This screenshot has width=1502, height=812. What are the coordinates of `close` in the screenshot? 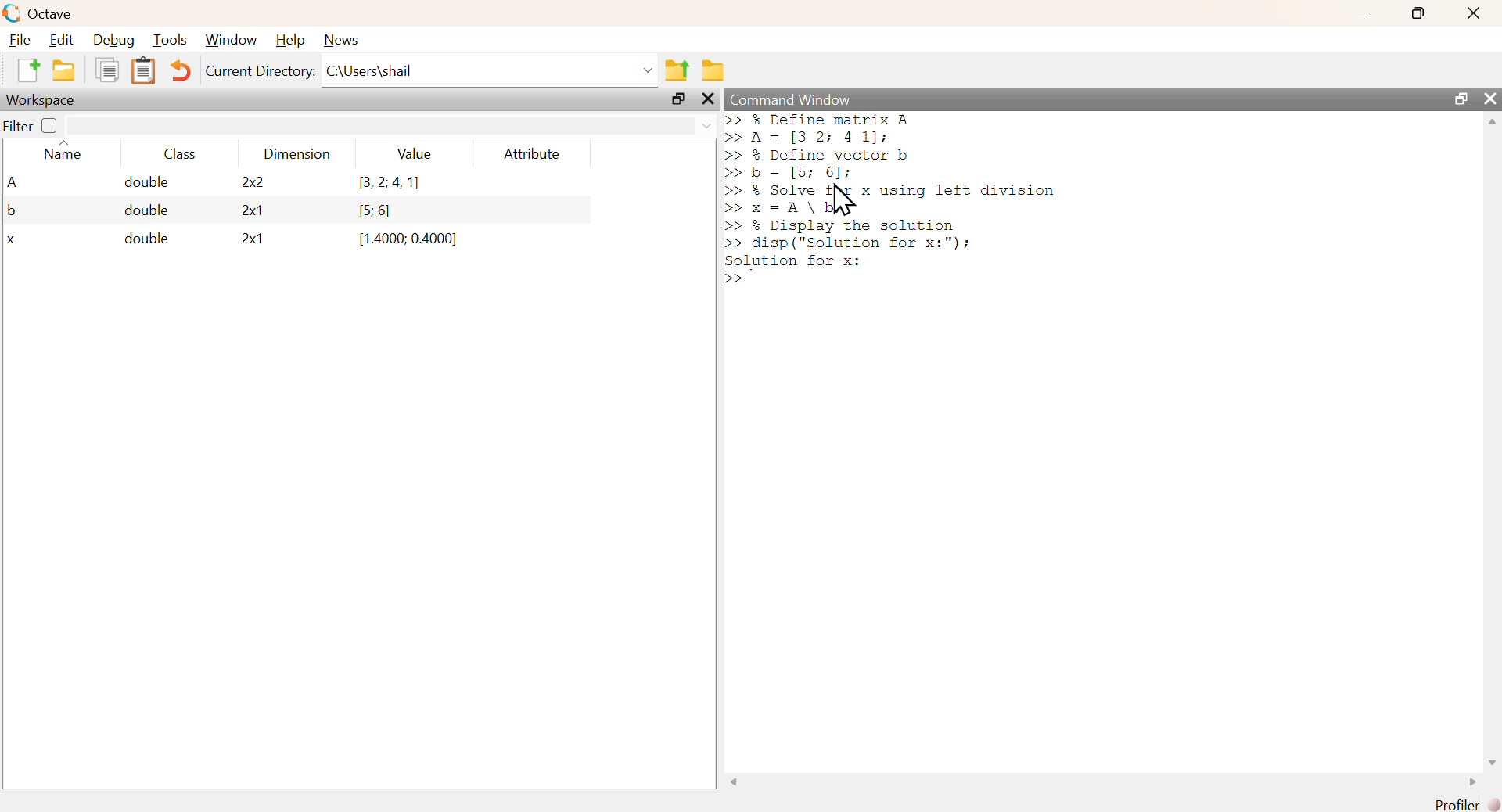 It's located at (1490, 98).